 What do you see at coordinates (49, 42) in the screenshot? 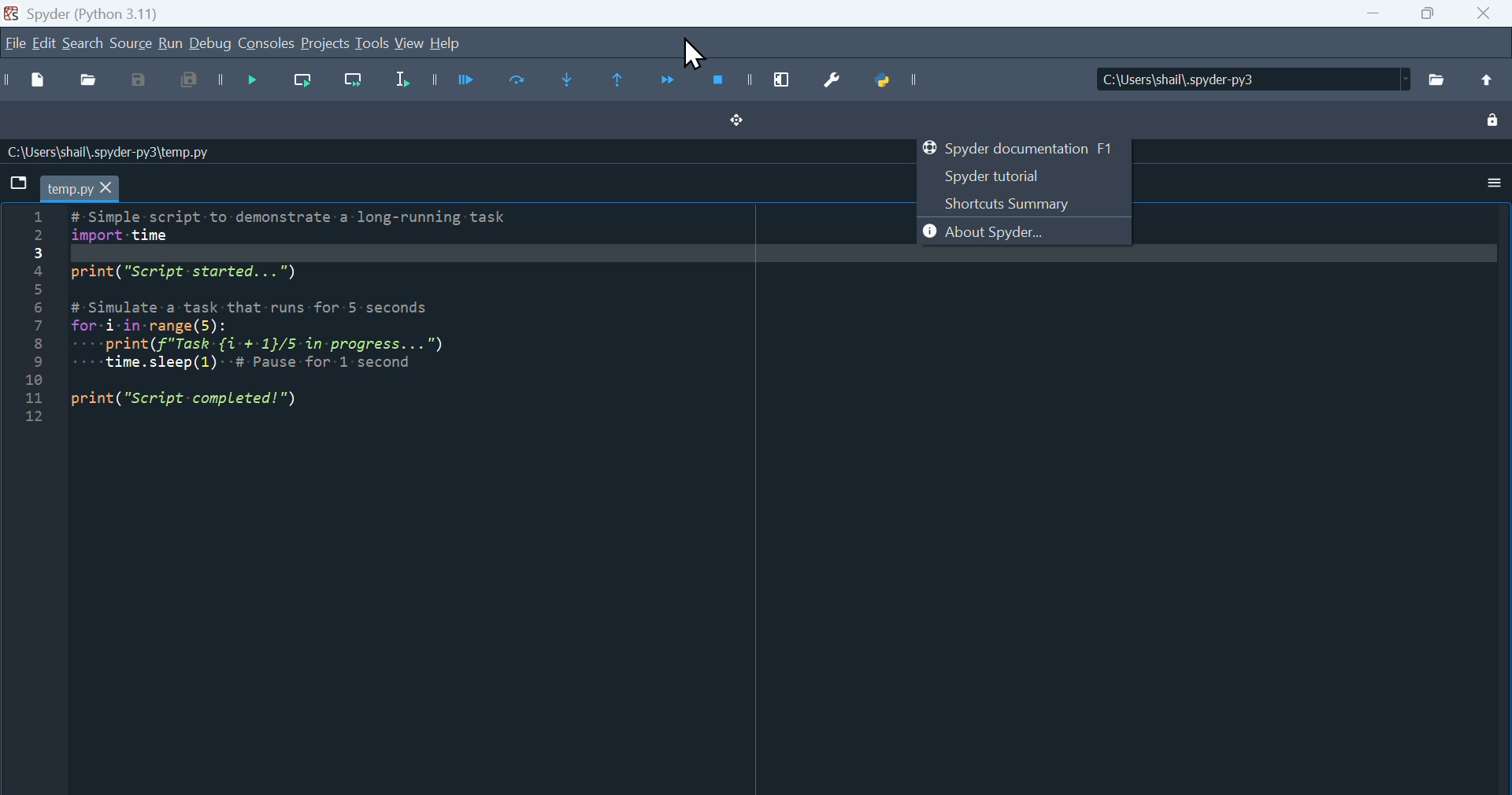
I see `Edit` at bounding box center [49, 42].